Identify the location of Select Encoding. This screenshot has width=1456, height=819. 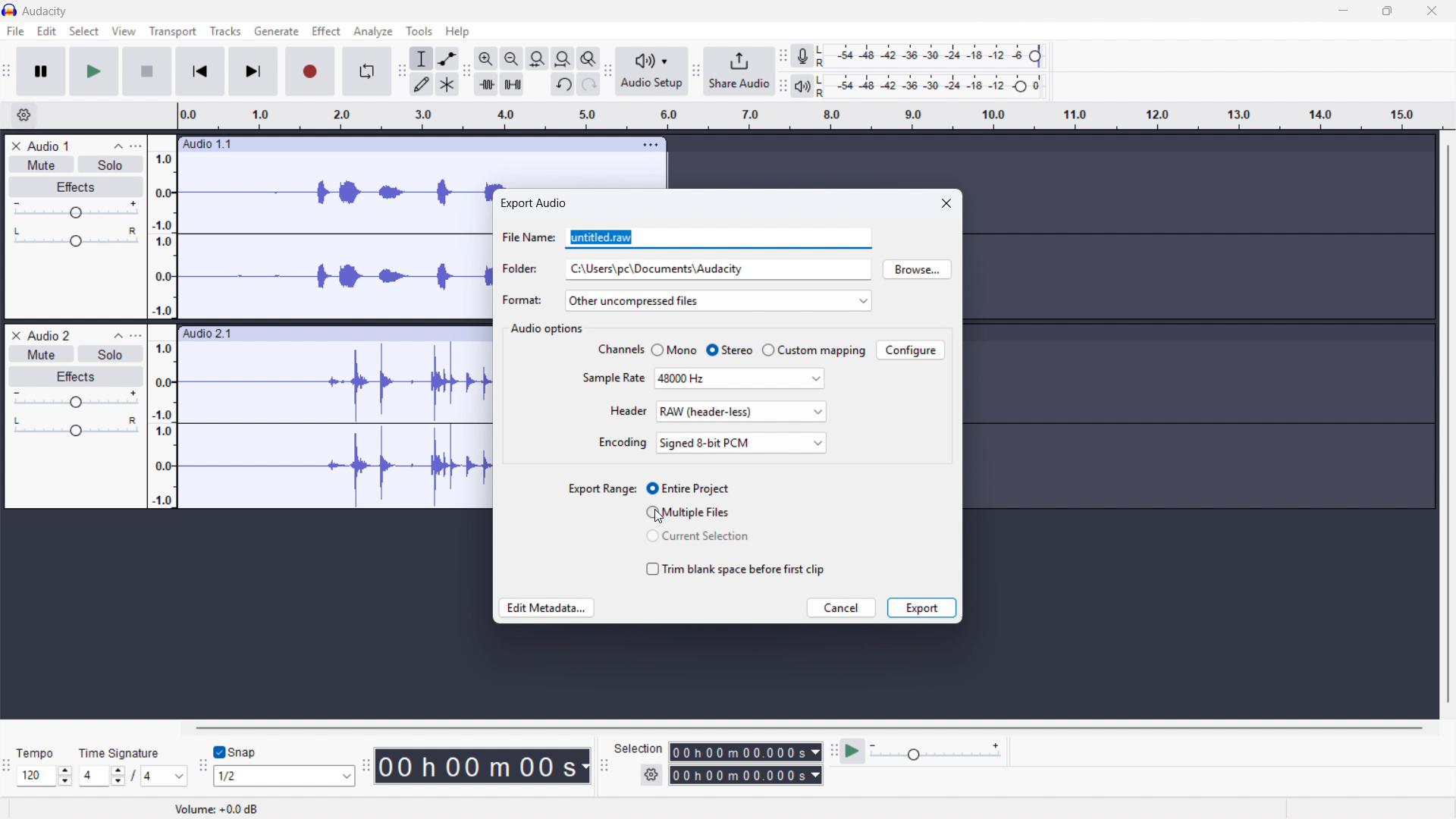
(742, 443).